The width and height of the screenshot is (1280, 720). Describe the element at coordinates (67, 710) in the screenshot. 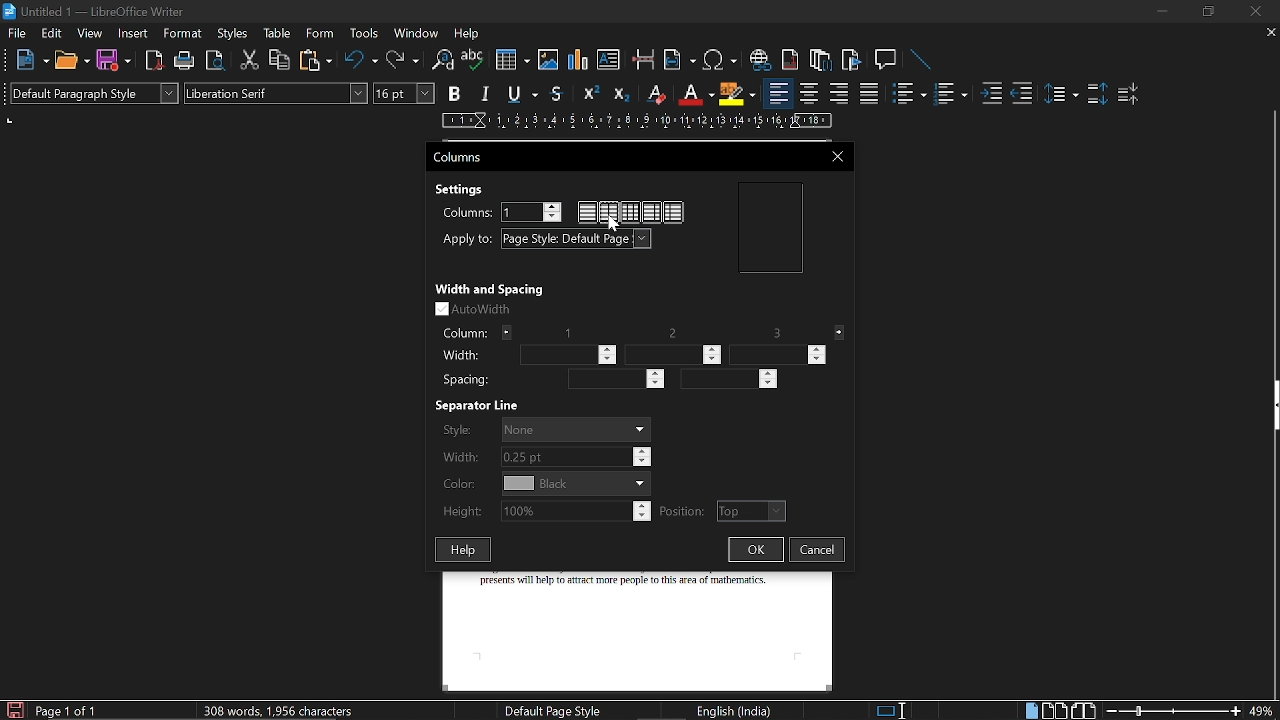

I see `current page (Page 1 of 1)` at that location.